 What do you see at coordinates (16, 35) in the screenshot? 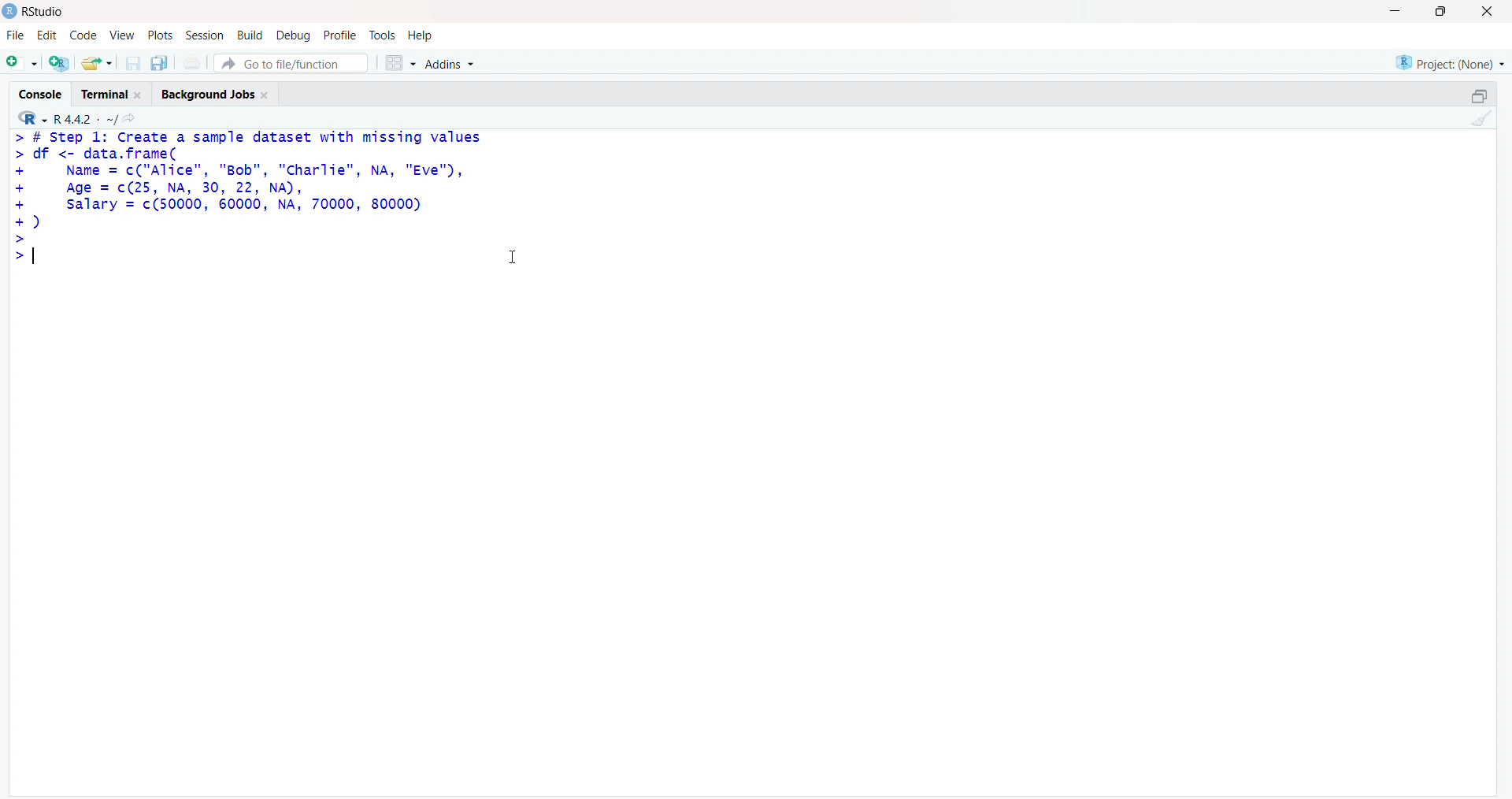
I see `File` at bounding box center [16, 35].